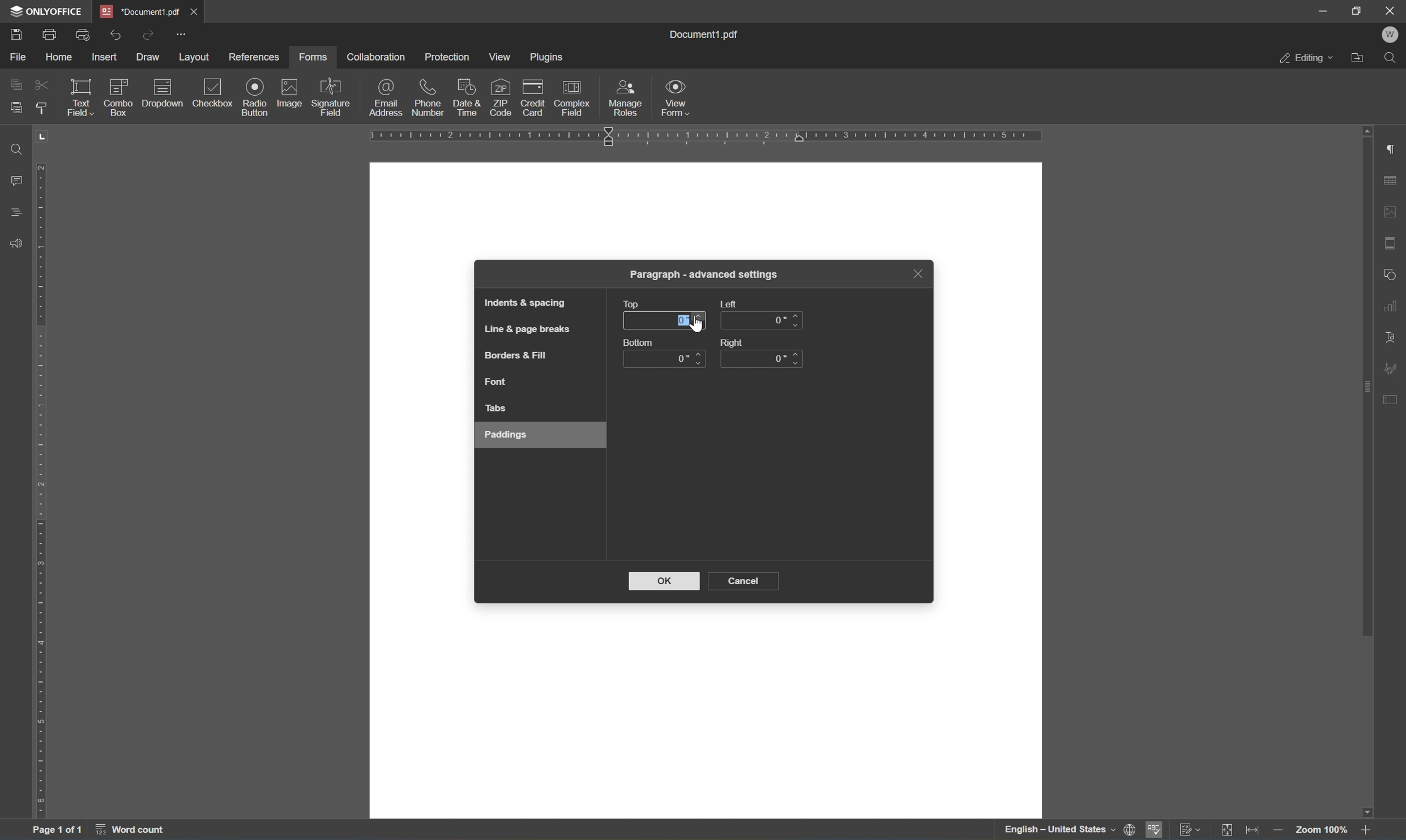 This screenshot has width=1406, height=840. I want to click on 0, so click(784, 359).